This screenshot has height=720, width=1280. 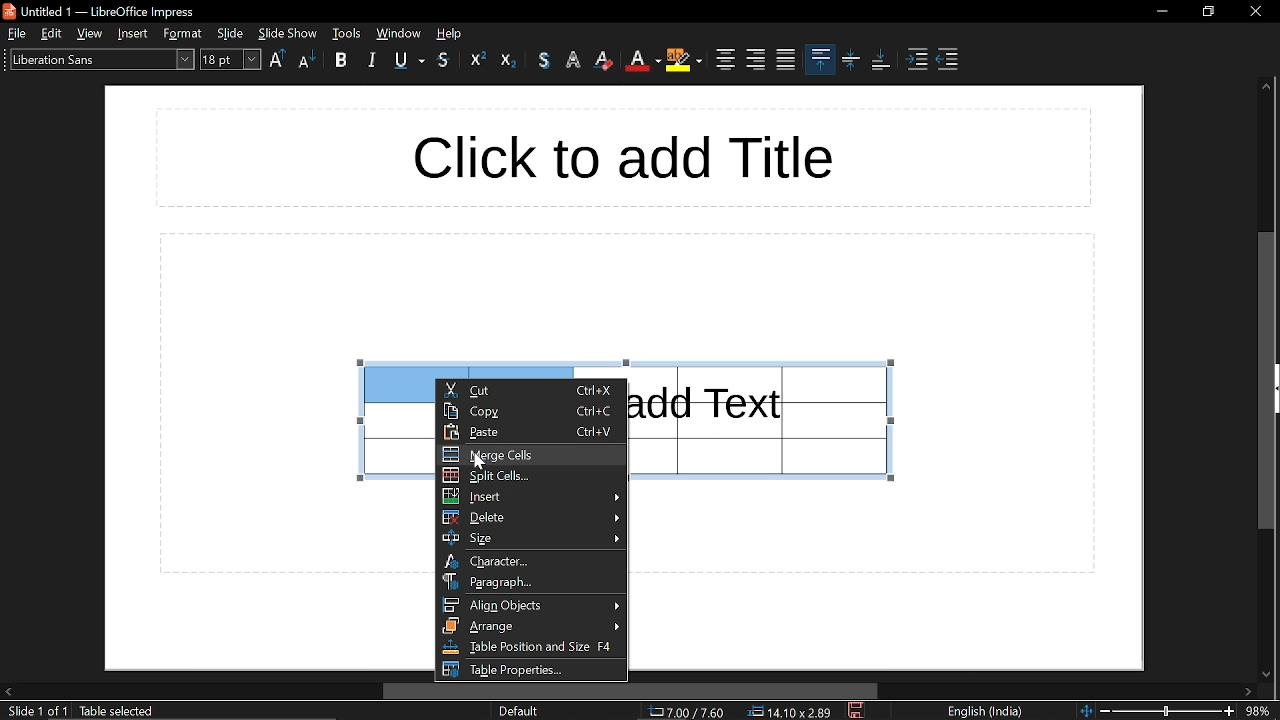 I want to click on close, so click(x=1254, y=9).